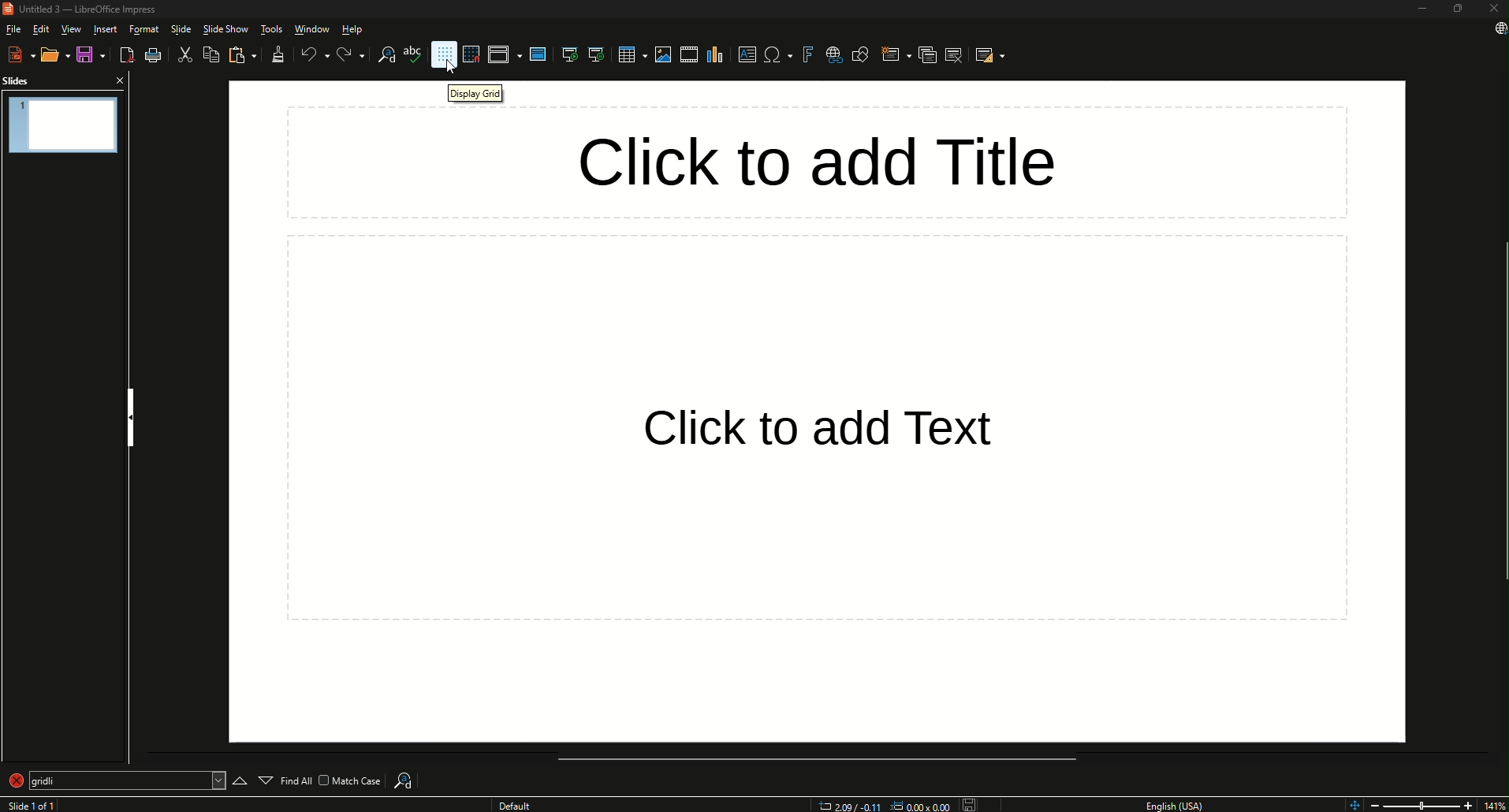  What do you see at coordinates (235, 776) in the screenshot?
I see `Up` at bounding box center [235, 776].